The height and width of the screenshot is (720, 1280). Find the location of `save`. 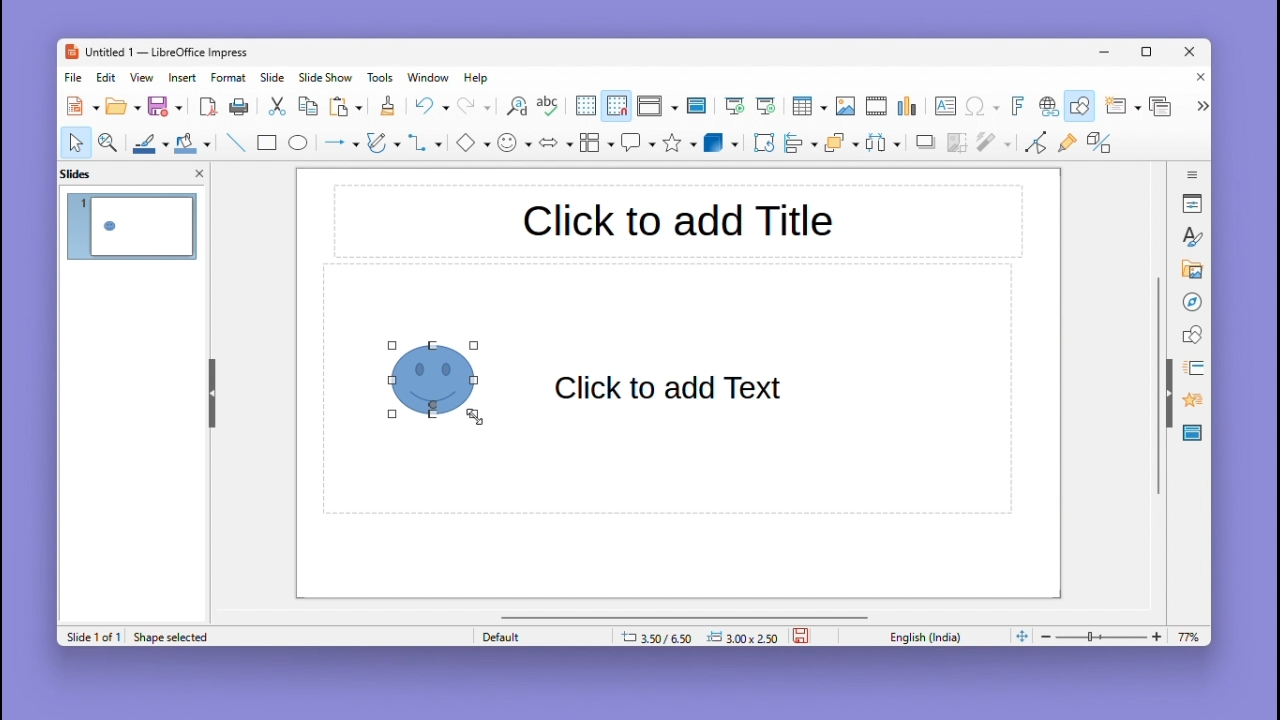

save is located at coordinates (803, 634).